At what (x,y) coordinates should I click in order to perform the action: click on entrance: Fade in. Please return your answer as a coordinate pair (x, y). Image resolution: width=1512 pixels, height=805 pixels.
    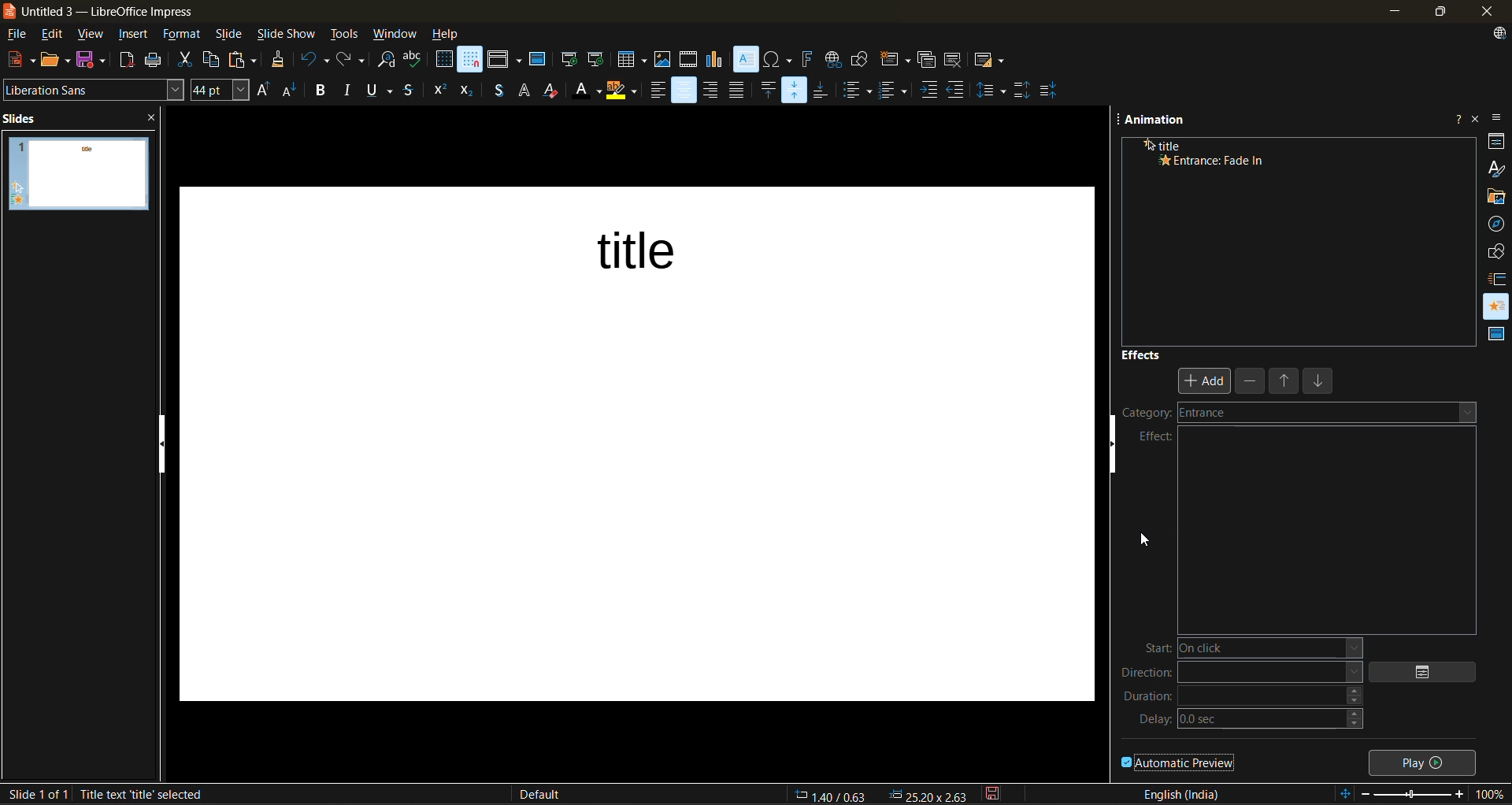
    Looking at the image, I should click on (1239, 161).